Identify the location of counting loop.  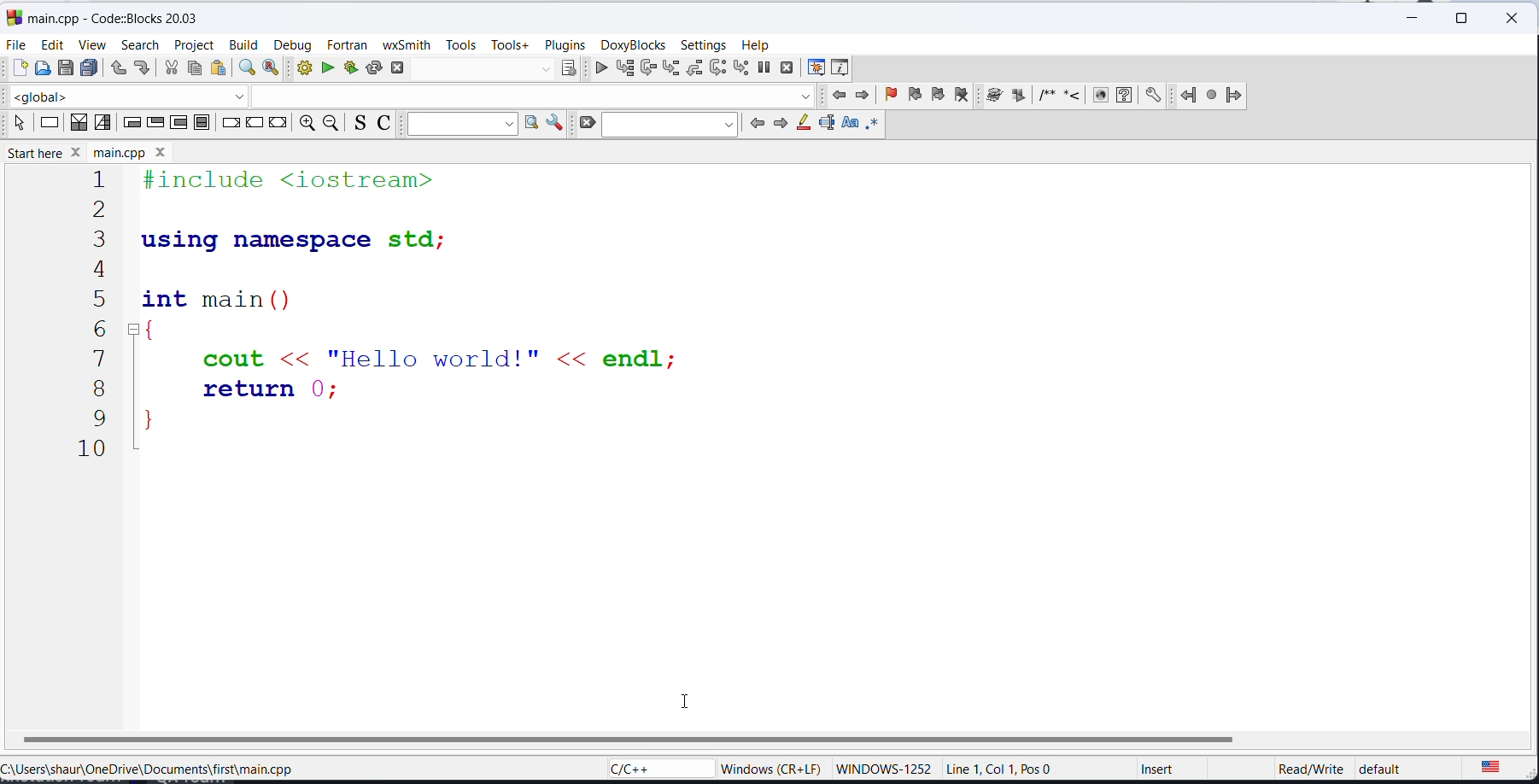
(178, 123).